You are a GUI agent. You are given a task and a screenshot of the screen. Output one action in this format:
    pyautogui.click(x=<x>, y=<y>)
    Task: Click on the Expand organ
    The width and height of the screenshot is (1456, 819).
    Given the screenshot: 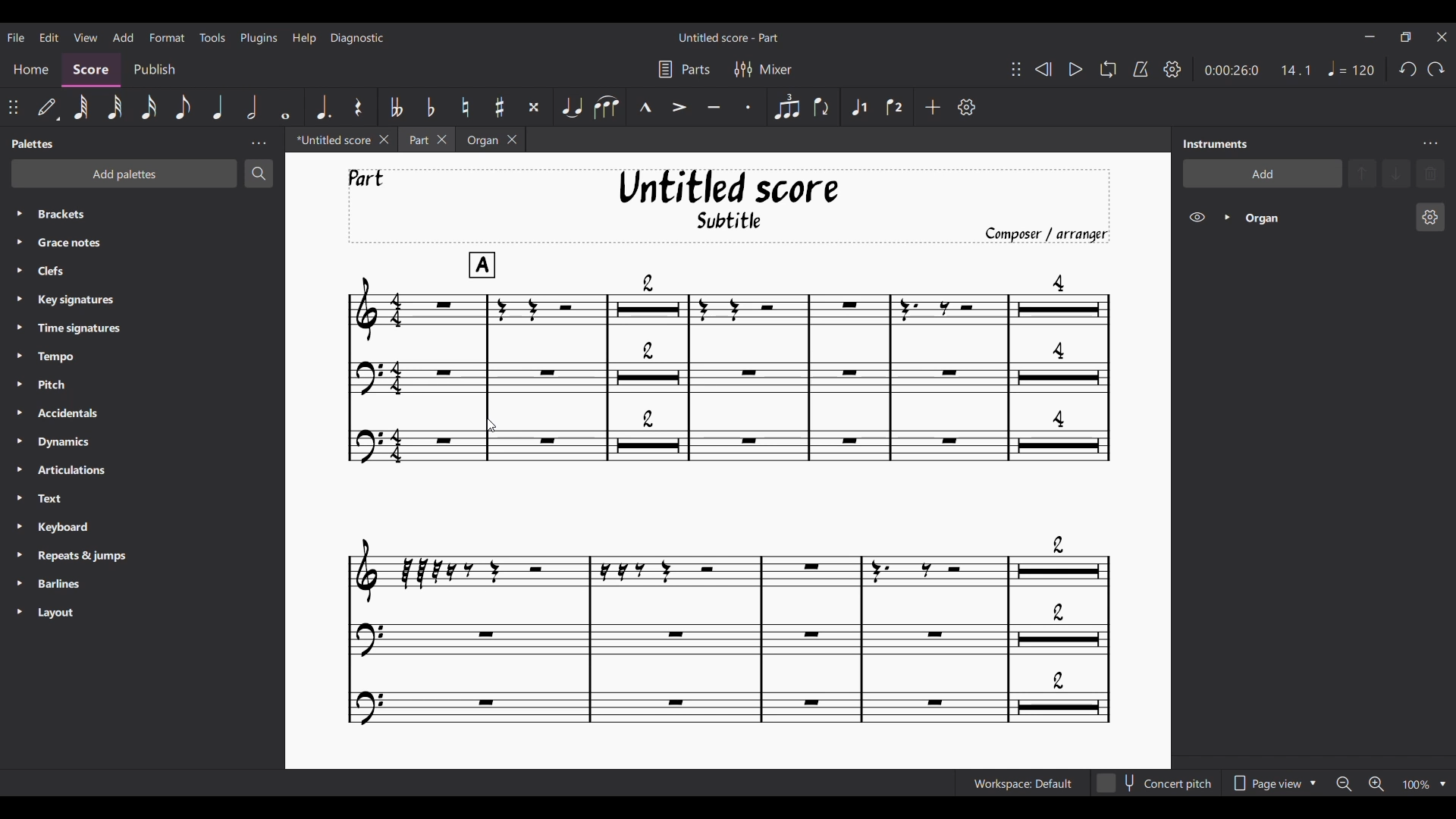 What is the action you would take?
    pyautogui.click(x=1227, y=217)
    